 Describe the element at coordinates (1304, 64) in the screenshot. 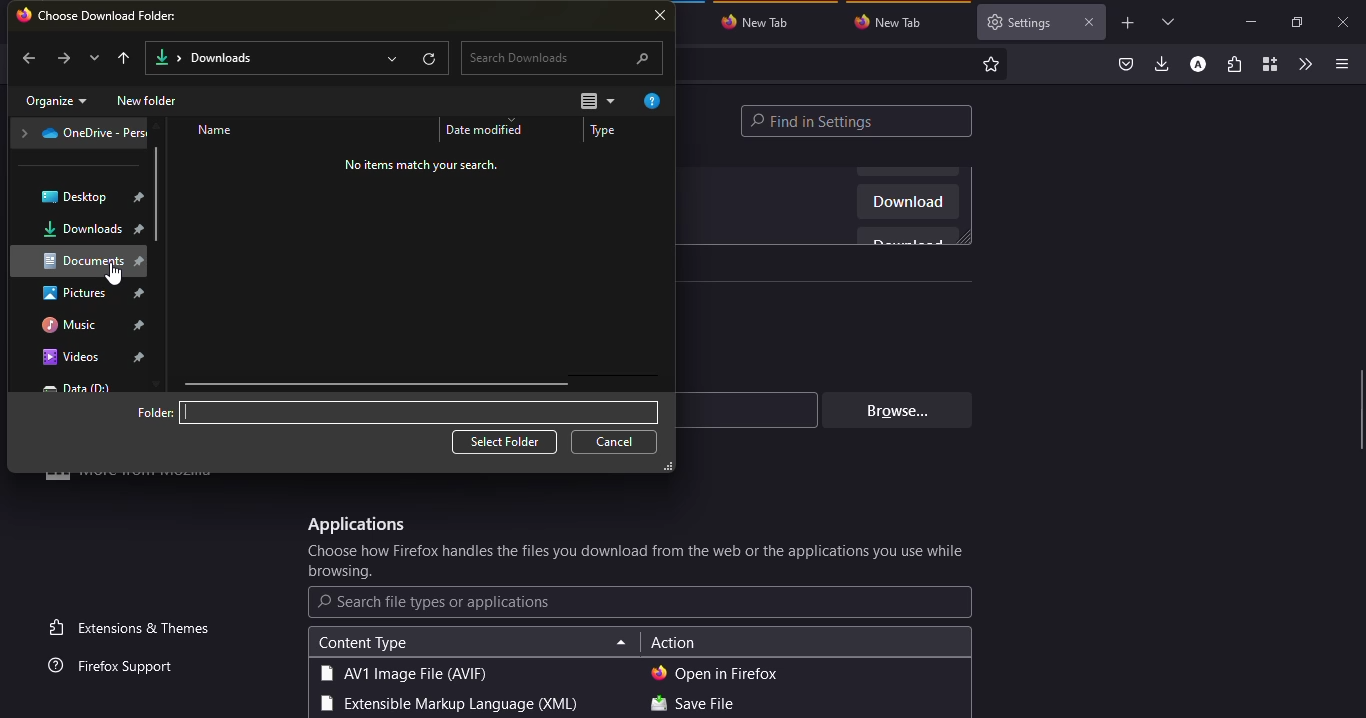

I see `more tools` at that location.